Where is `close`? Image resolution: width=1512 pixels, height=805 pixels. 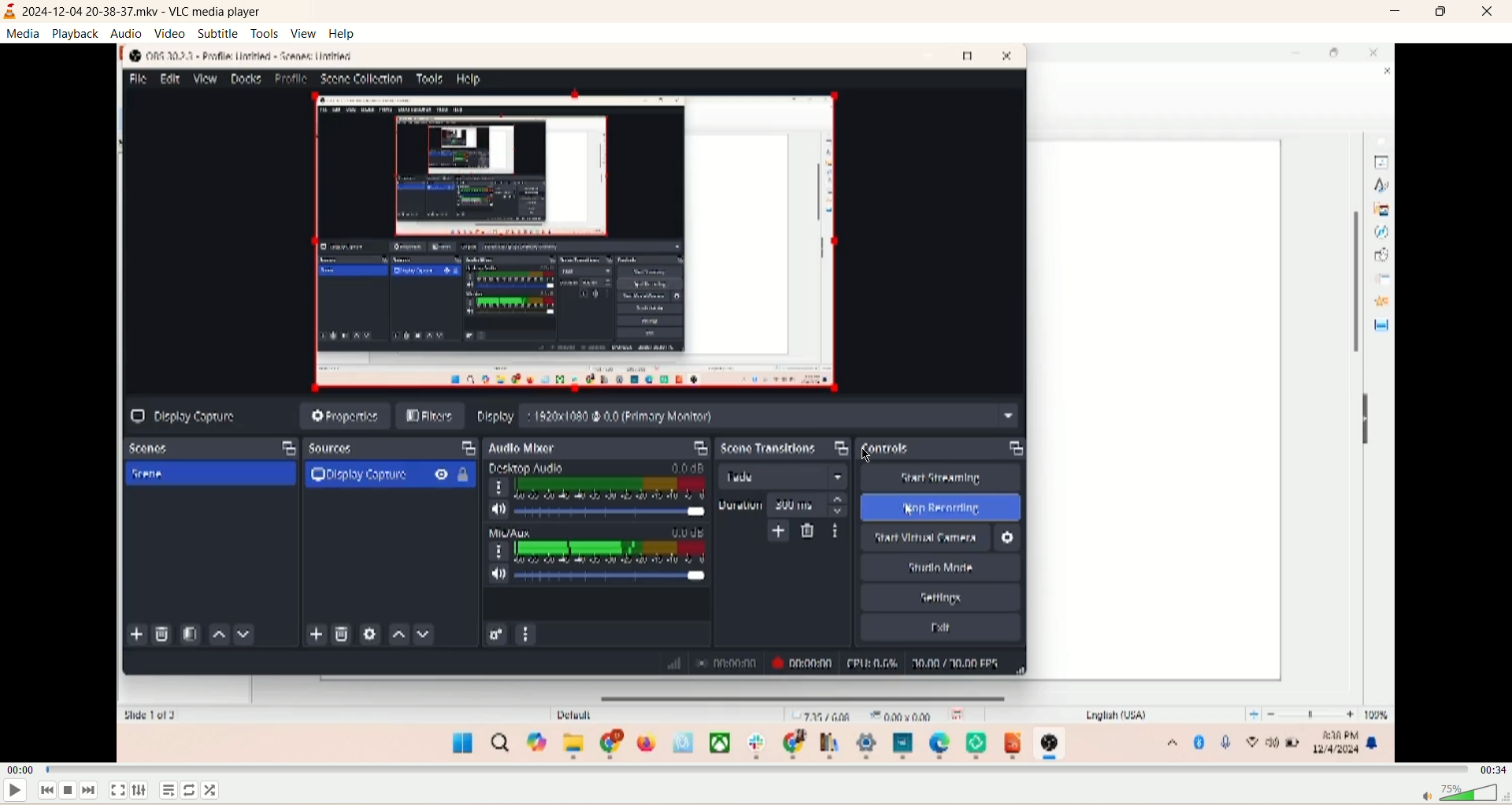
close is located at coordinates (1488, 13).